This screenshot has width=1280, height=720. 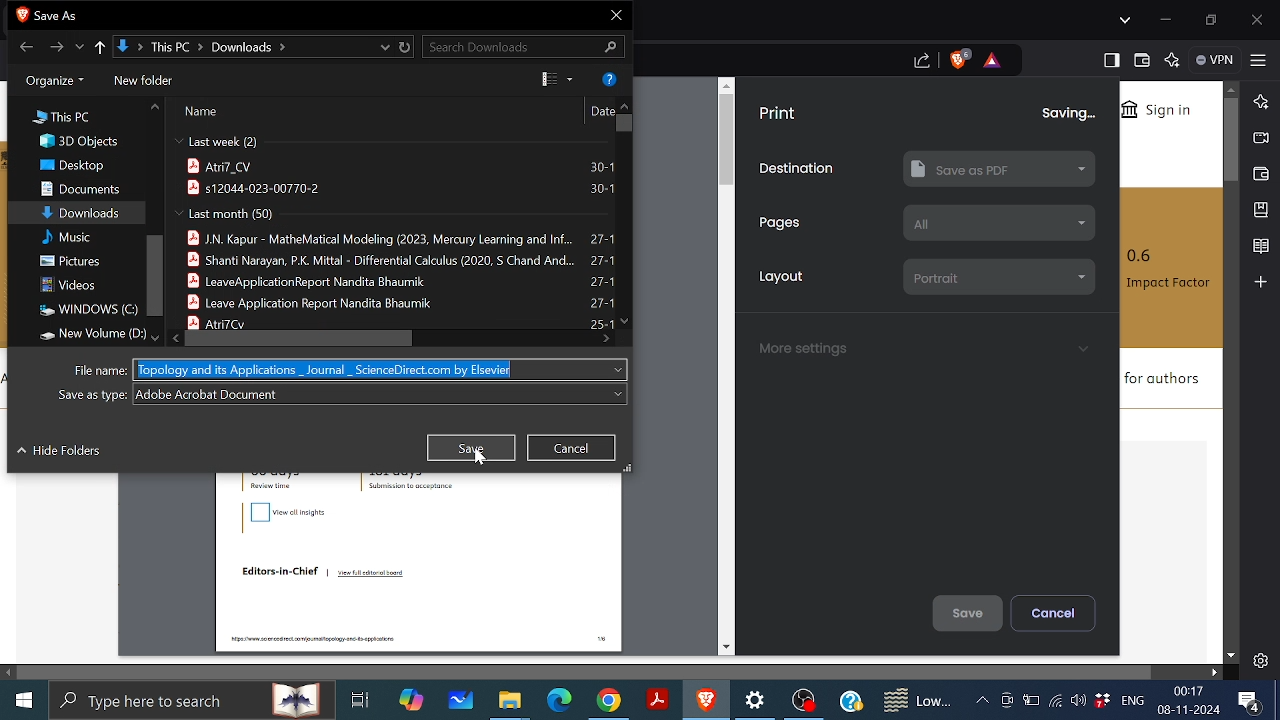 I want to click on portrait, so click(x=997, y=276).